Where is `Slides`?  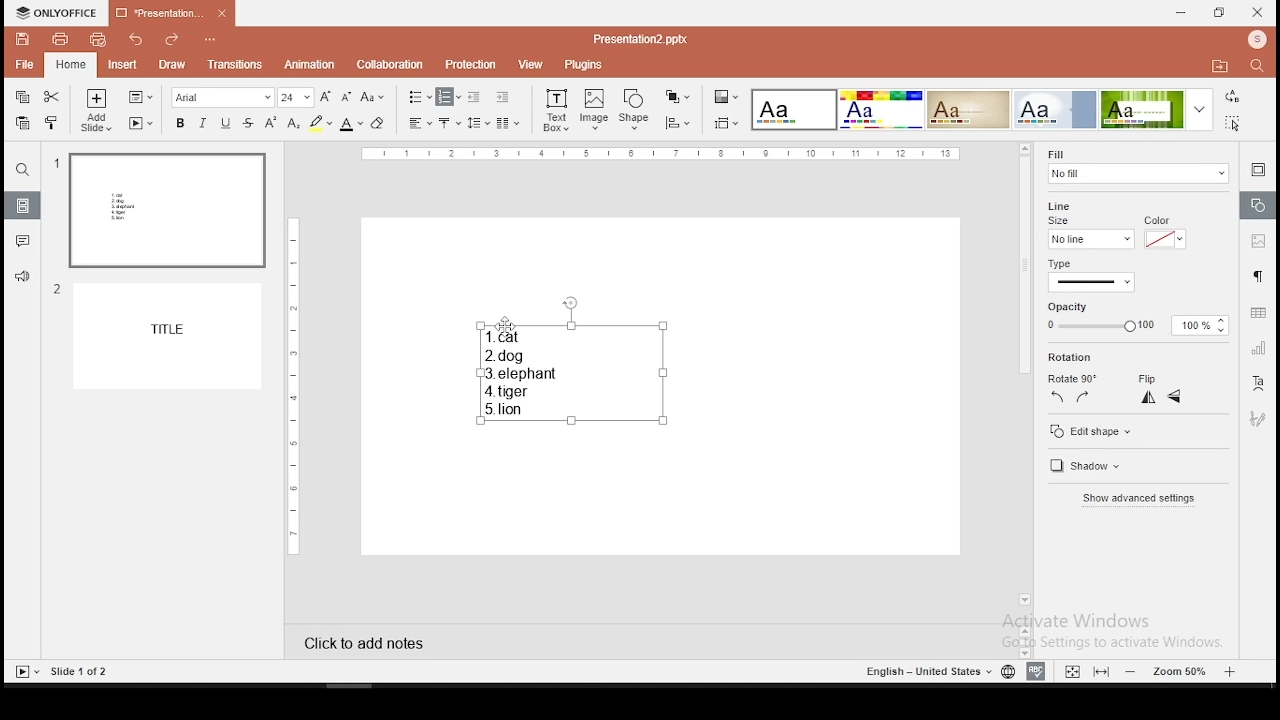 Slides is located at coordinates (62, 671).